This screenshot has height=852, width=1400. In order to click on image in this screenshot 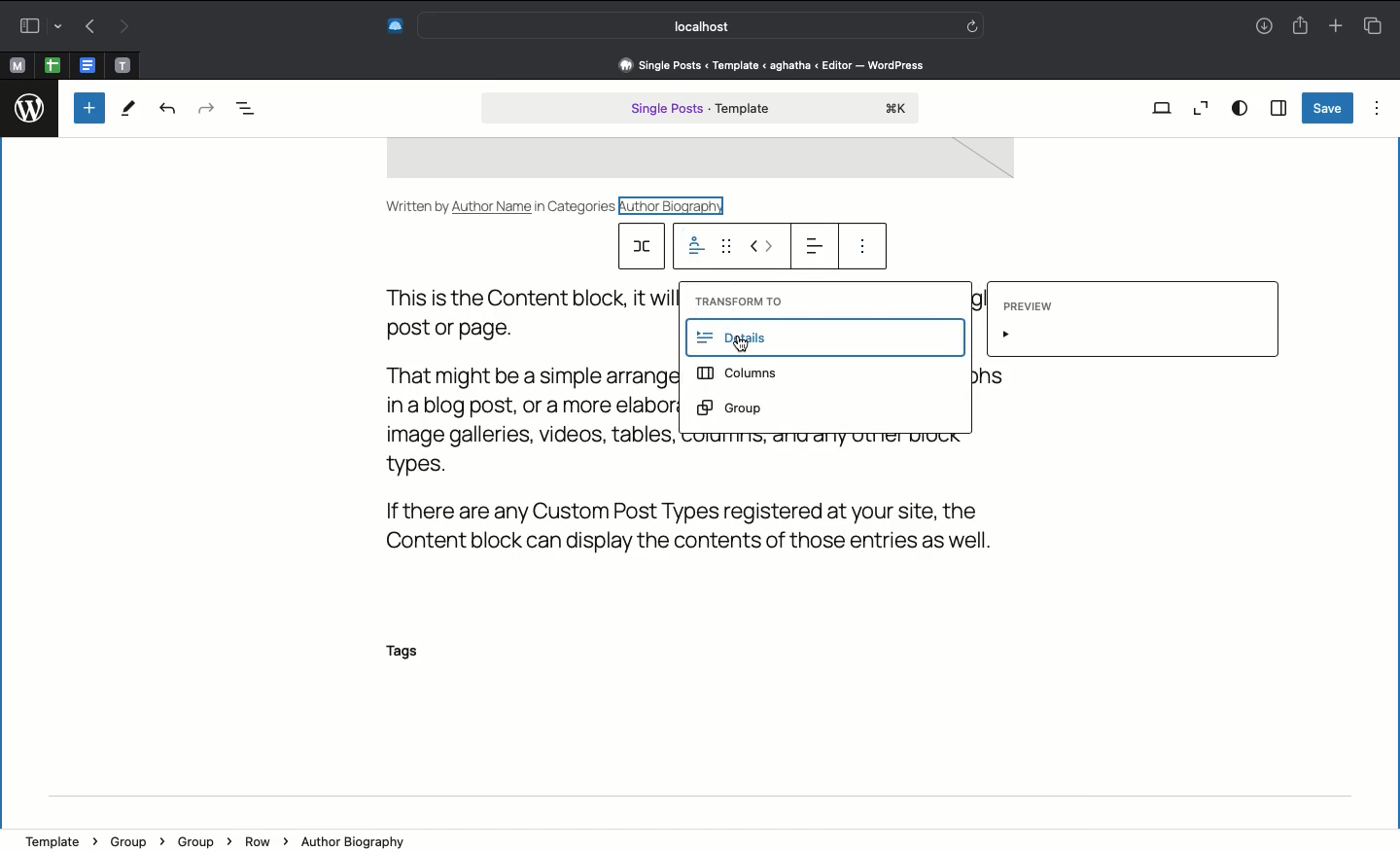, I will do `click(699, 160)`.